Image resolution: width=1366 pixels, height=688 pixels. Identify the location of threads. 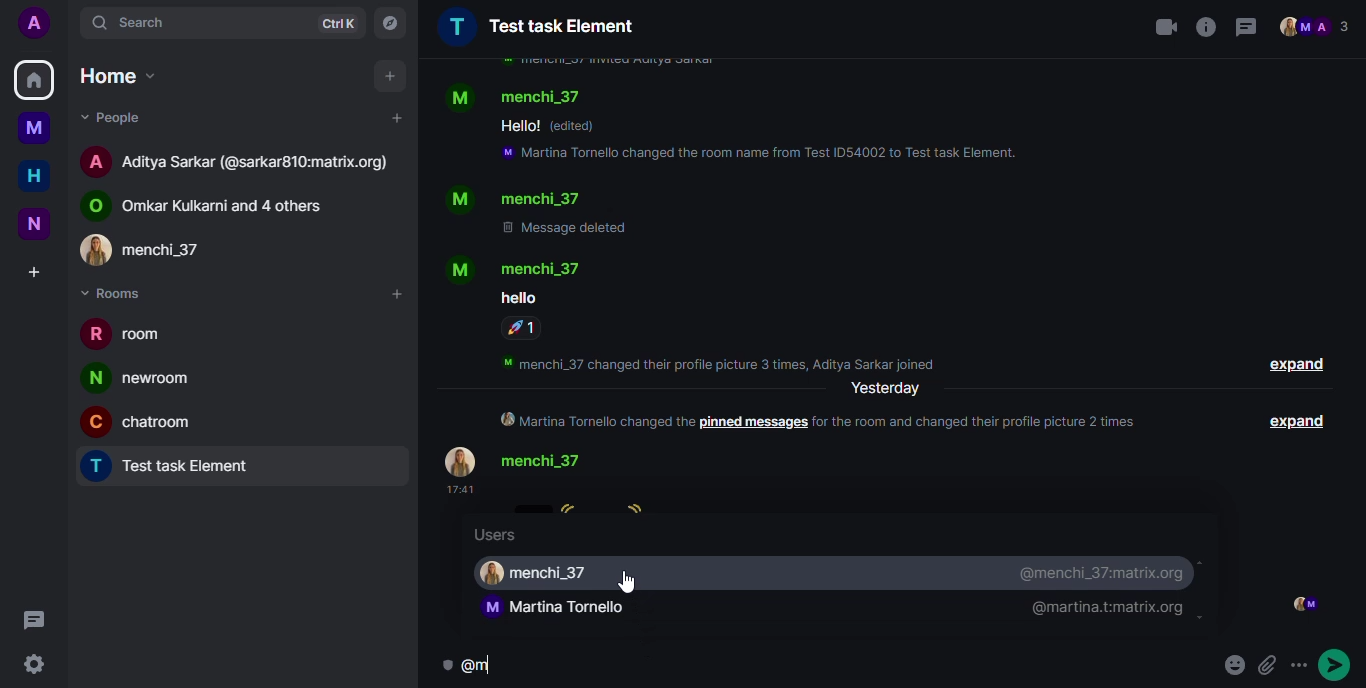
(40, 622).